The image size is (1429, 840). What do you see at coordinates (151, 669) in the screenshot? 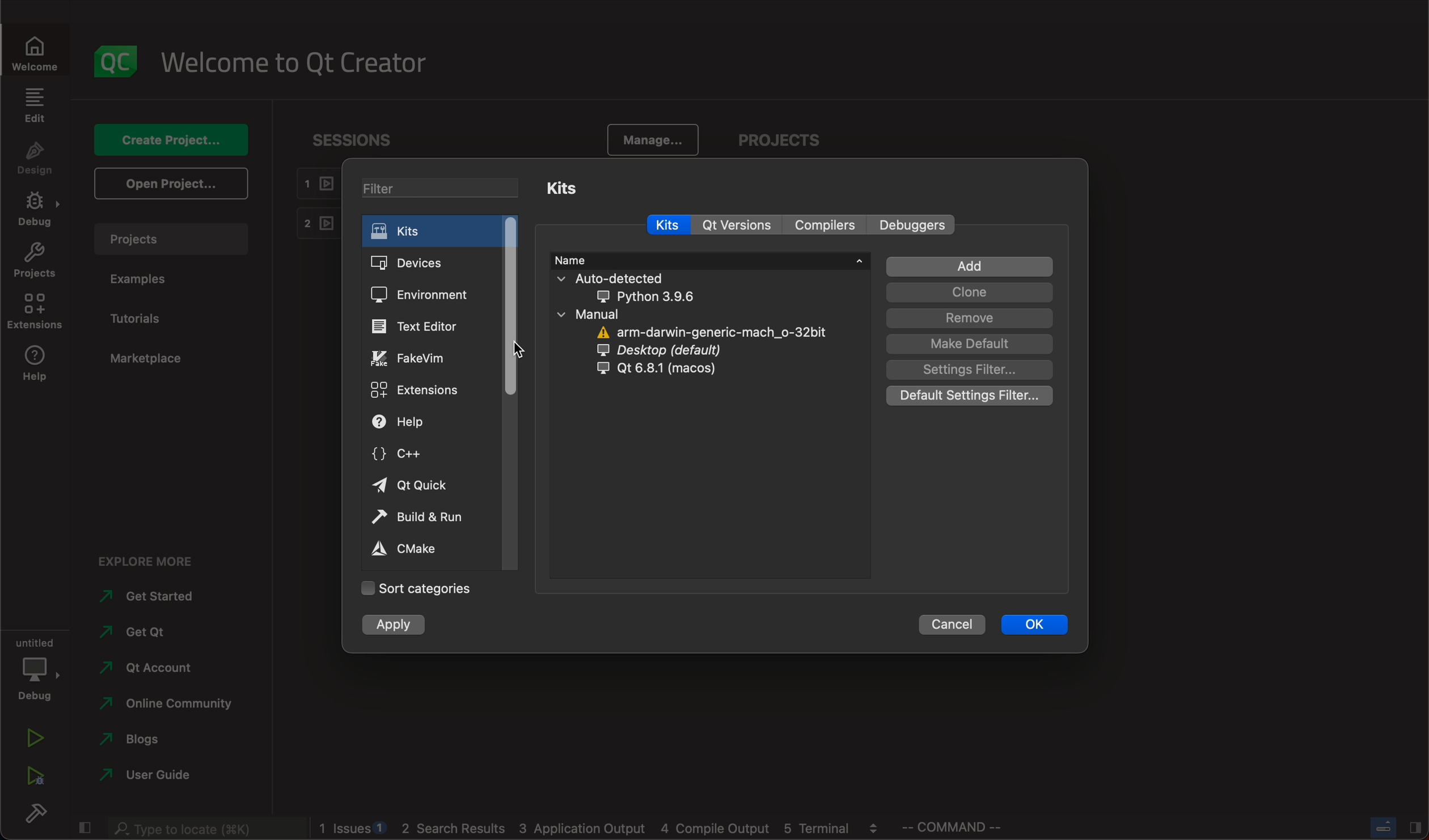
I see `account` at bounding box center [151, 669].